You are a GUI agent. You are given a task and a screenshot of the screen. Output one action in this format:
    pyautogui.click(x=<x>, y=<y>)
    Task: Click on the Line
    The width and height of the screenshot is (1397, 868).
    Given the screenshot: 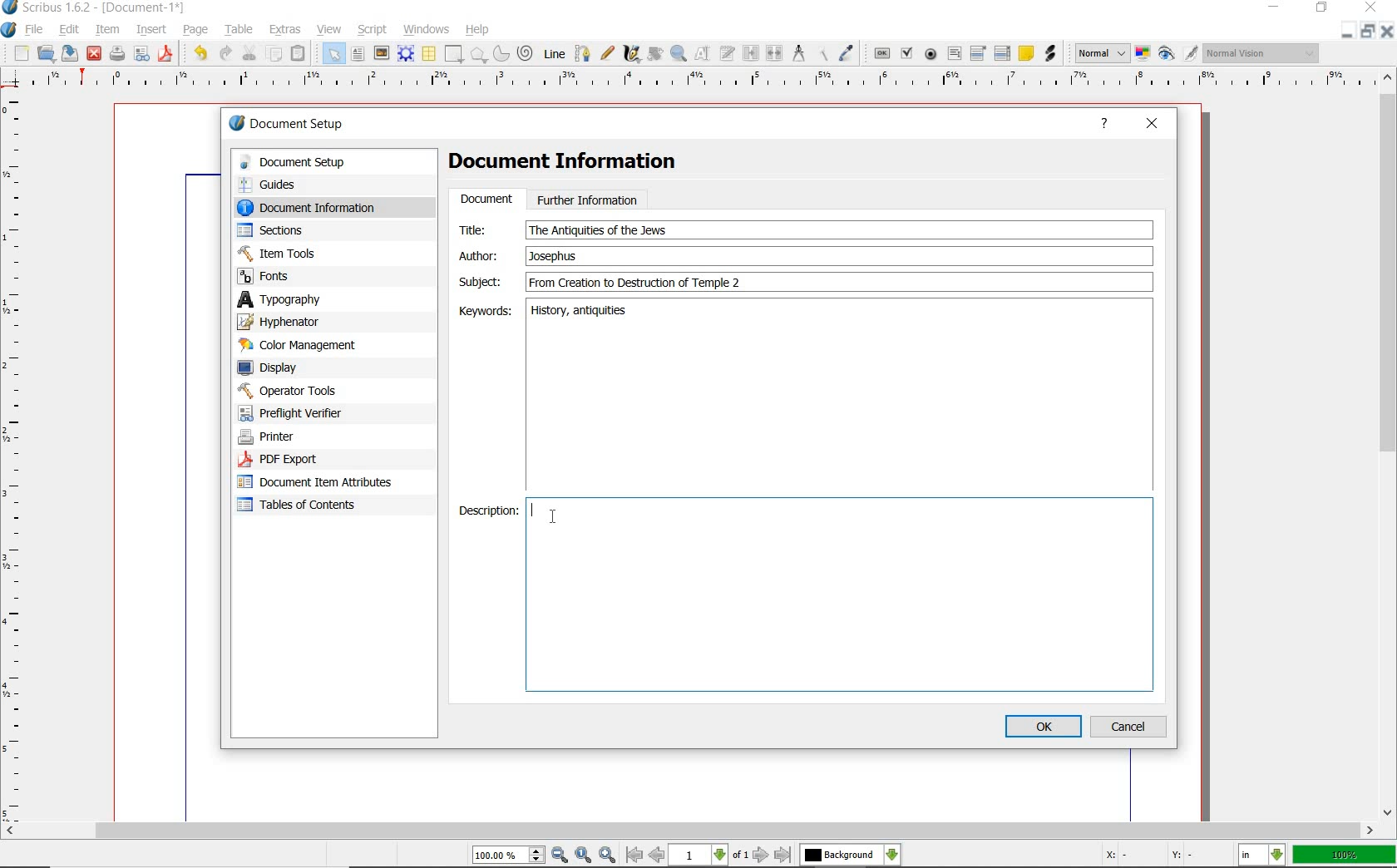 What is the action you would take?
    pyautogui.click(x=554, y=54)
    